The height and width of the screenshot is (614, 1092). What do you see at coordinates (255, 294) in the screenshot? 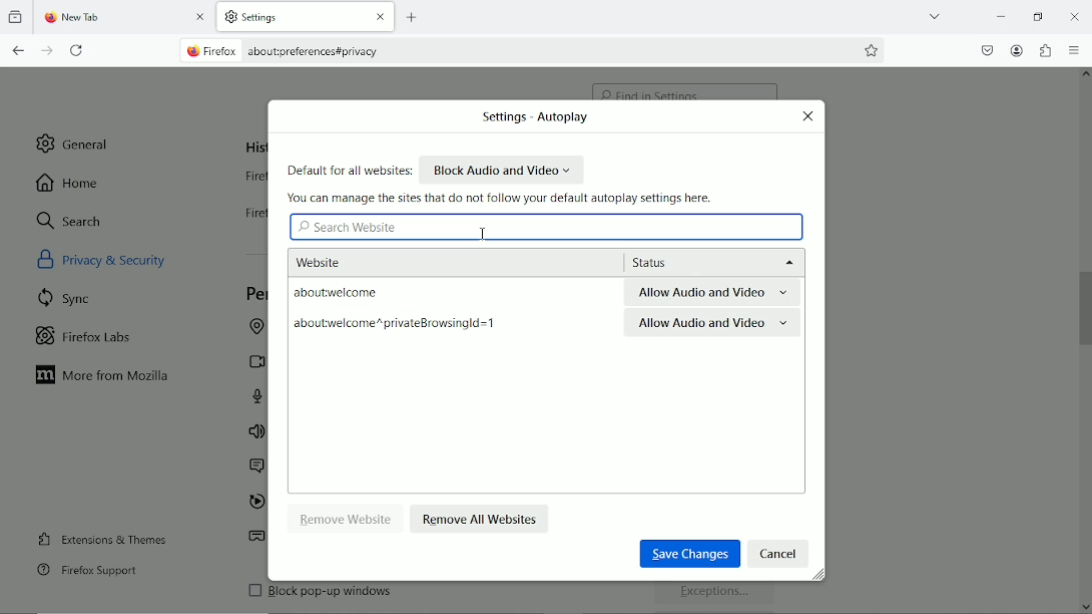
I see `permissions` at bounding box center [255, 294].